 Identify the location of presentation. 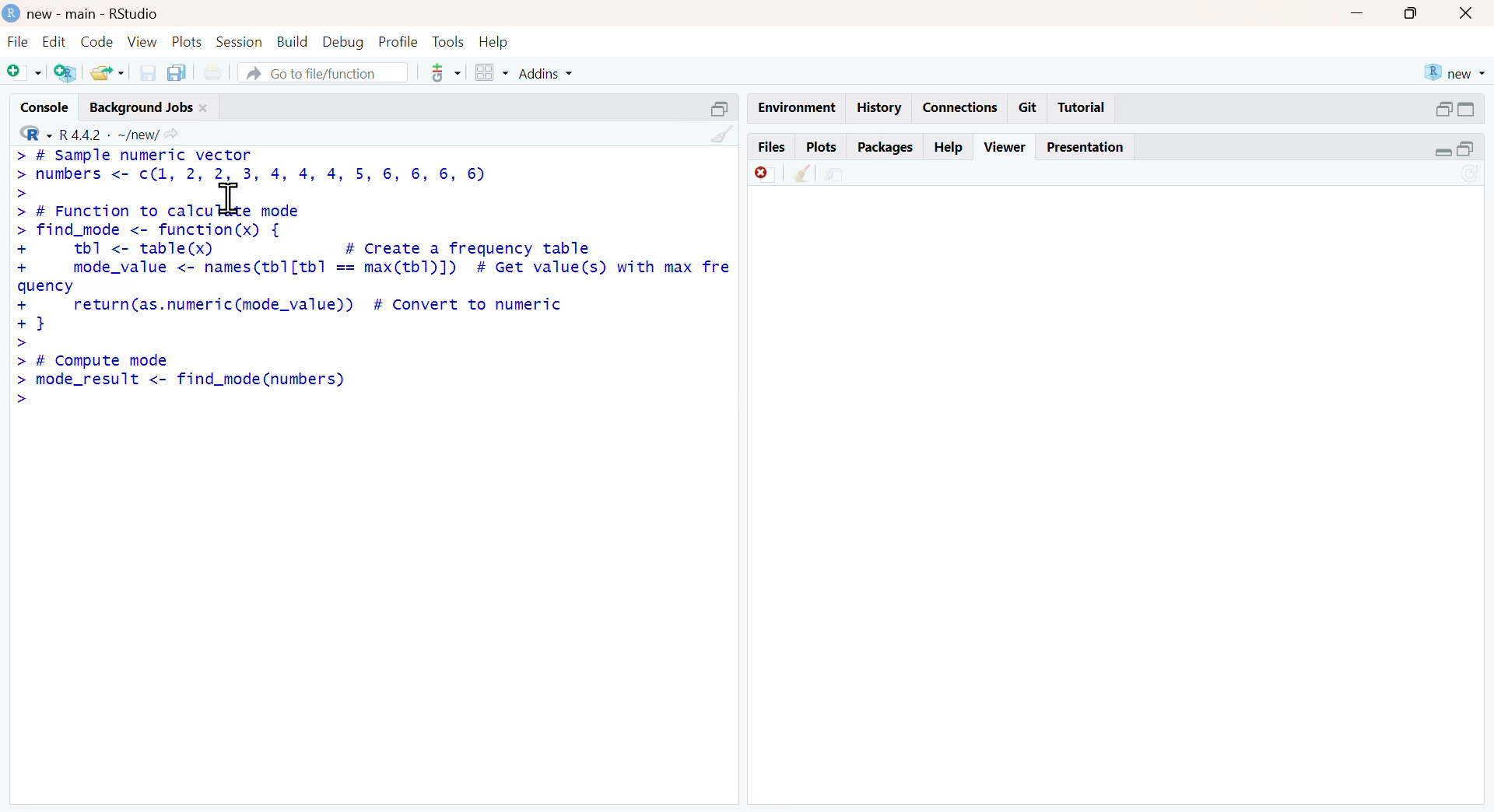
(1086, 147).